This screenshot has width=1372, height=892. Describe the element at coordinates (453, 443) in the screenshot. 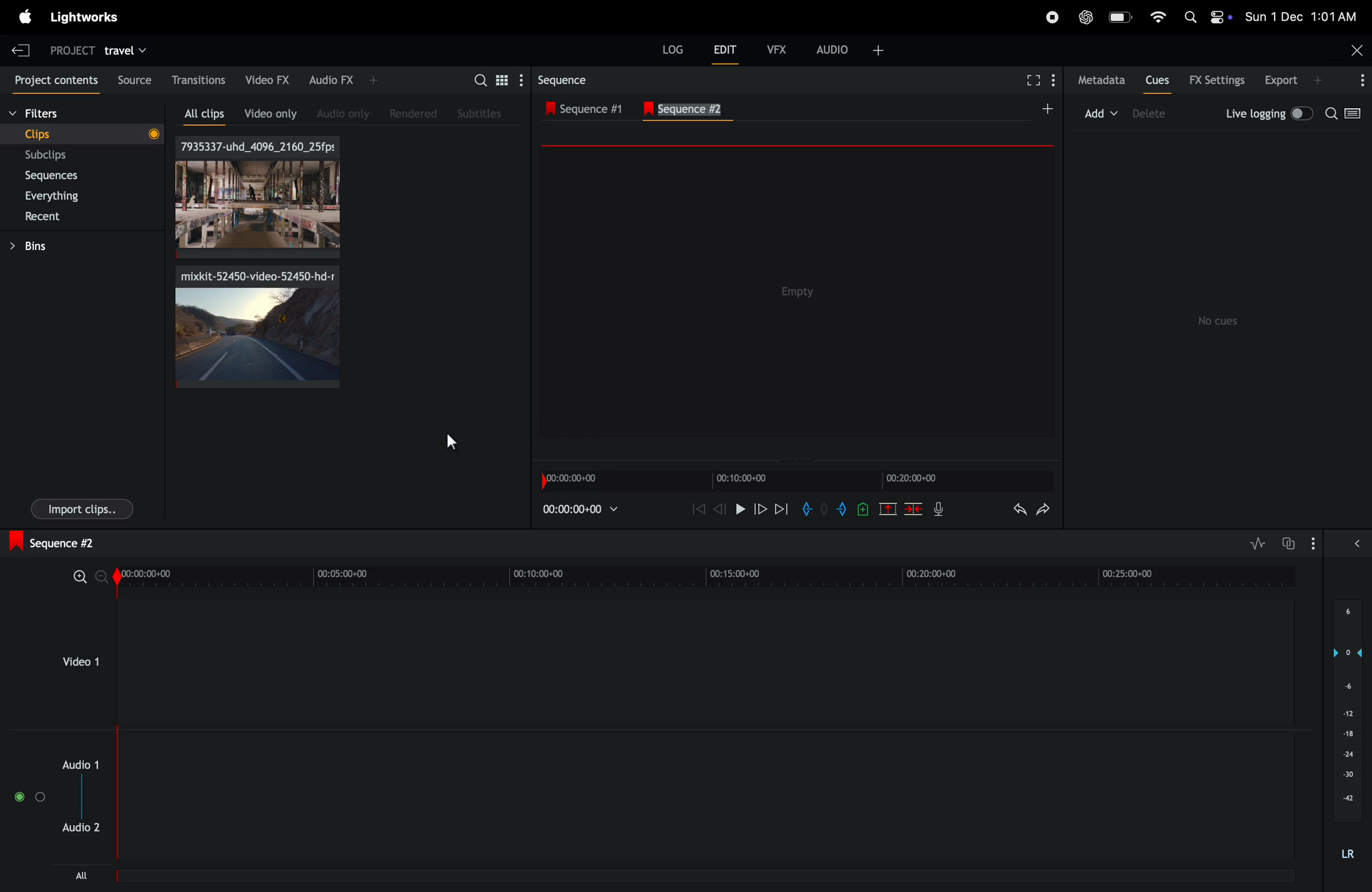

I see `cursor` at that location.